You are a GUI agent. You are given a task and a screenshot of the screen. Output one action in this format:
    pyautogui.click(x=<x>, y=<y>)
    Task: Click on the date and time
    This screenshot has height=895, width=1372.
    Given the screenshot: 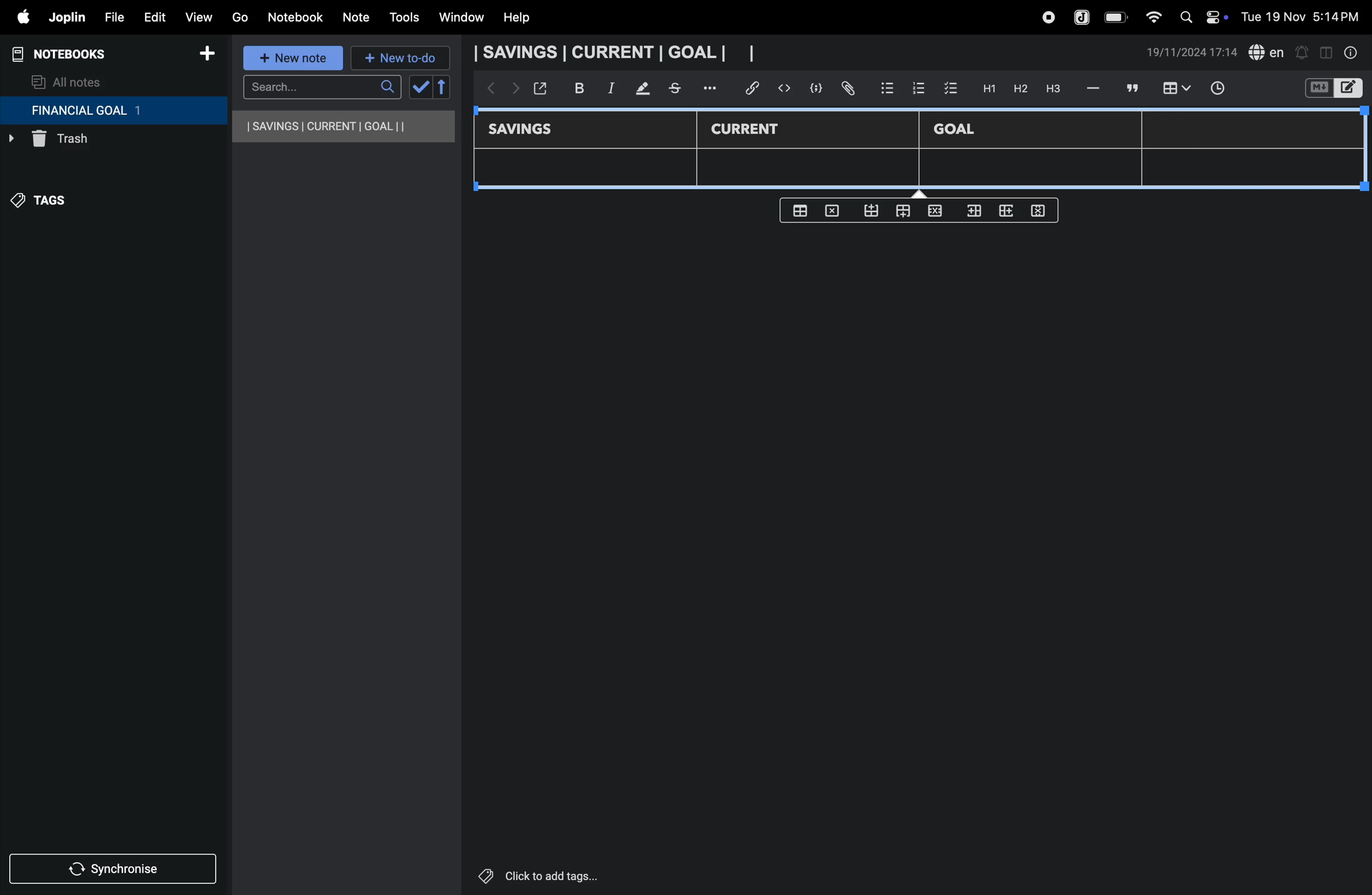 What is the action you would take?
    pyautogui.click(x=1192, y=52)
    